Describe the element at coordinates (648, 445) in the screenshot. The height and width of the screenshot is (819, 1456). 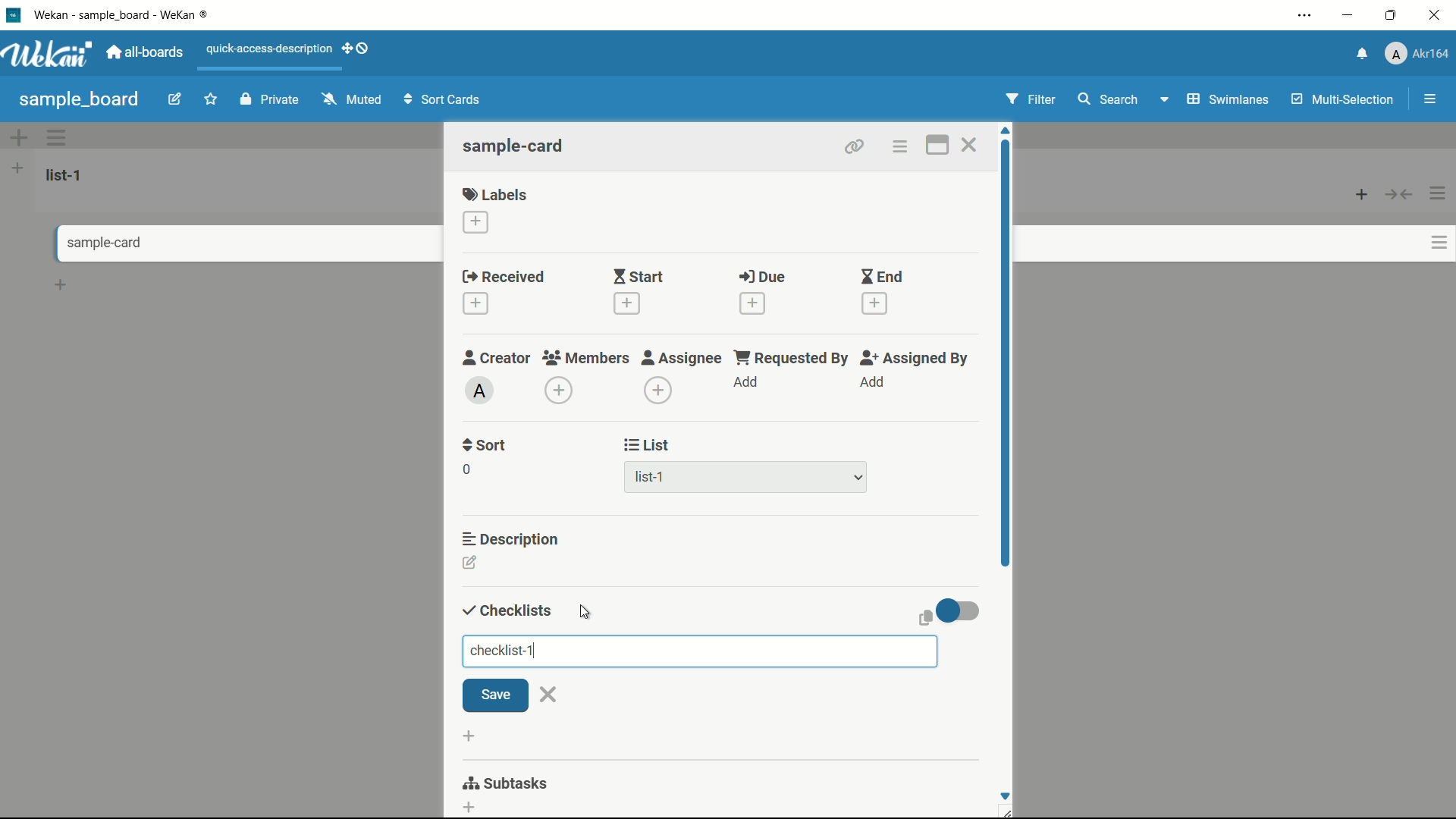
I see `list` at that location.